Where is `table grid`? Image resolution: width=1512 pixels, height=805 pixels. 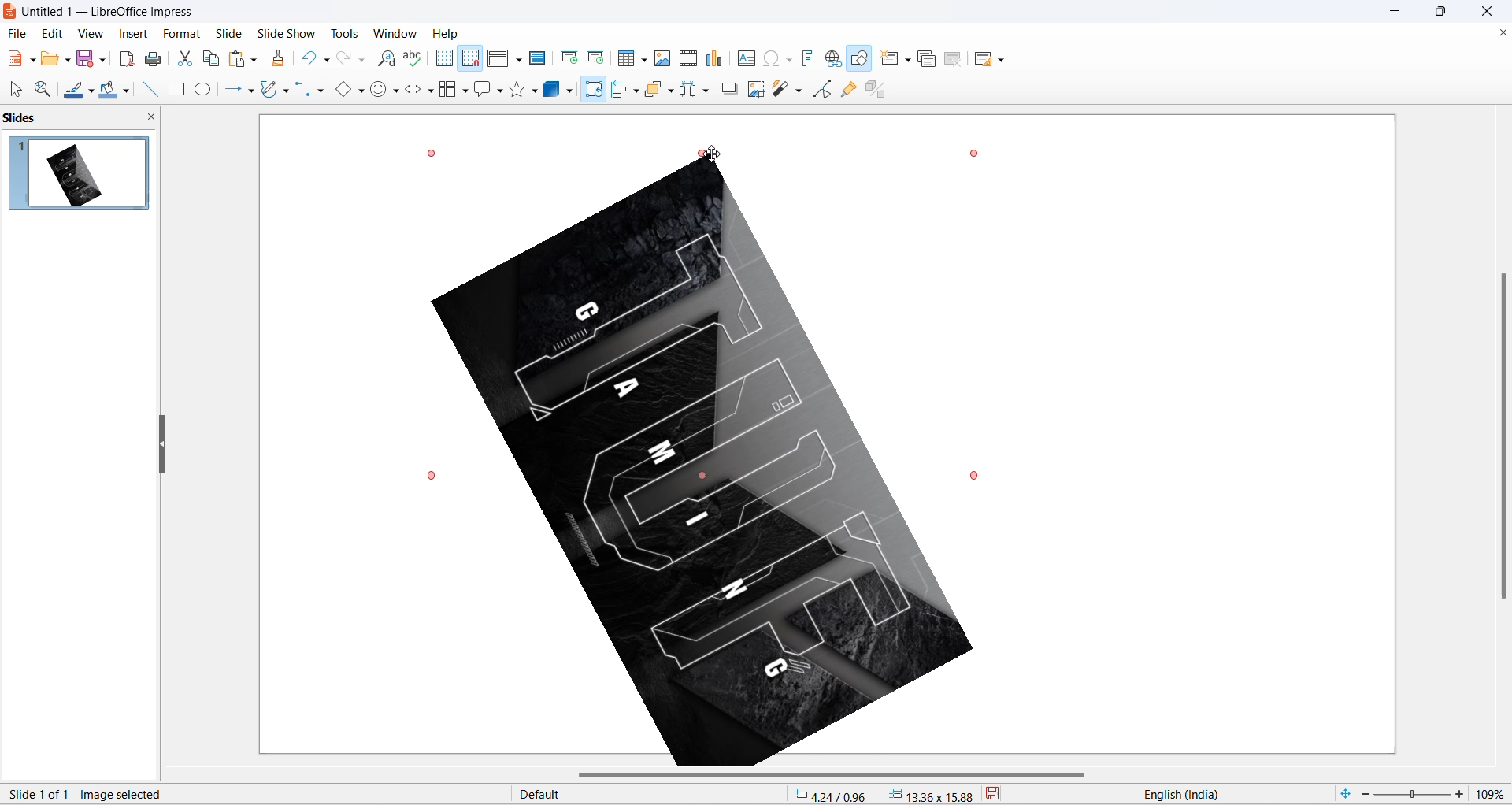
table grid is located at coordinates (645, 60).